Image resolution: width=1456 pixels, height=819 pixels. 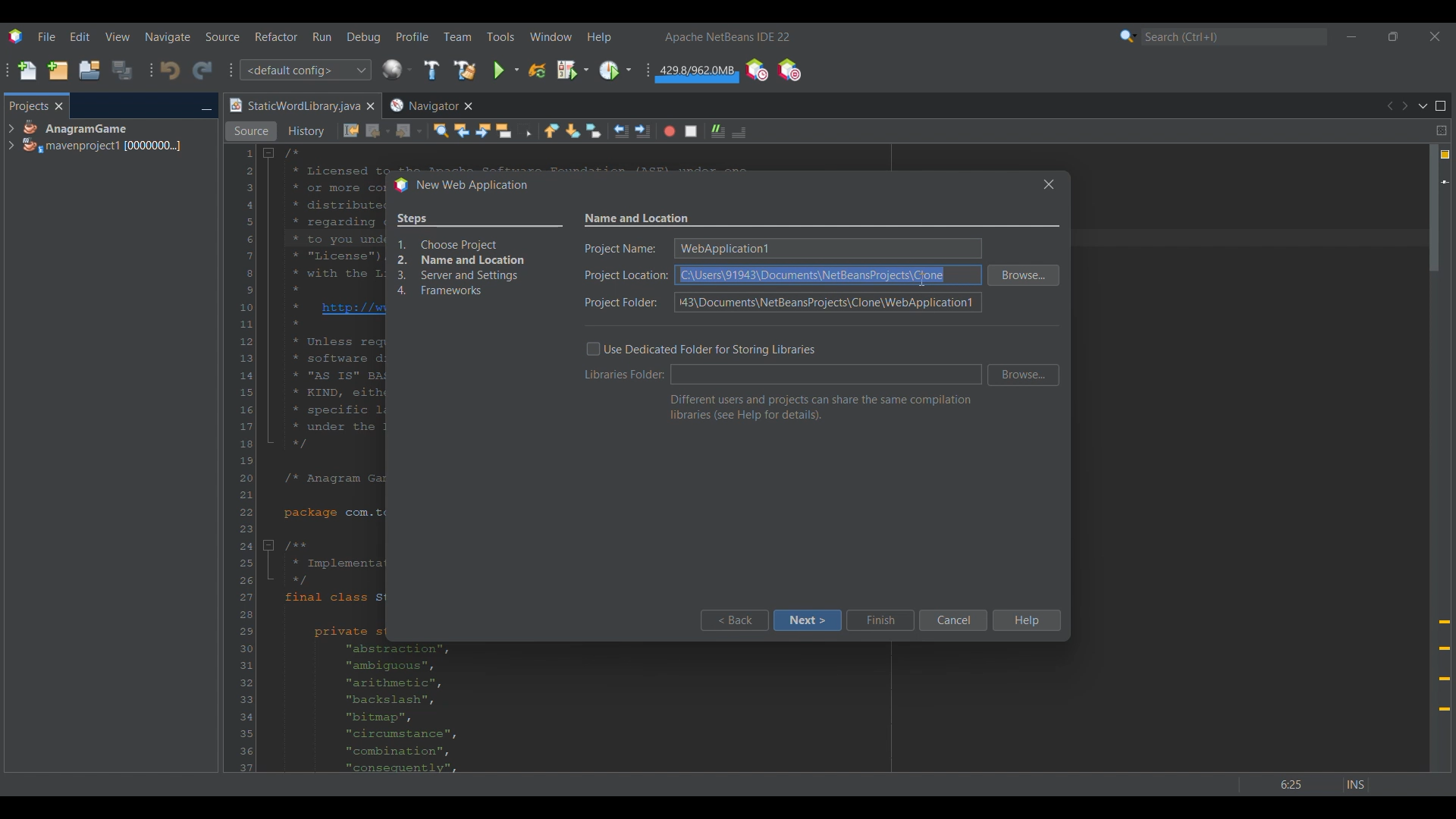 I want to click on History view, so click(x=308, y=131).